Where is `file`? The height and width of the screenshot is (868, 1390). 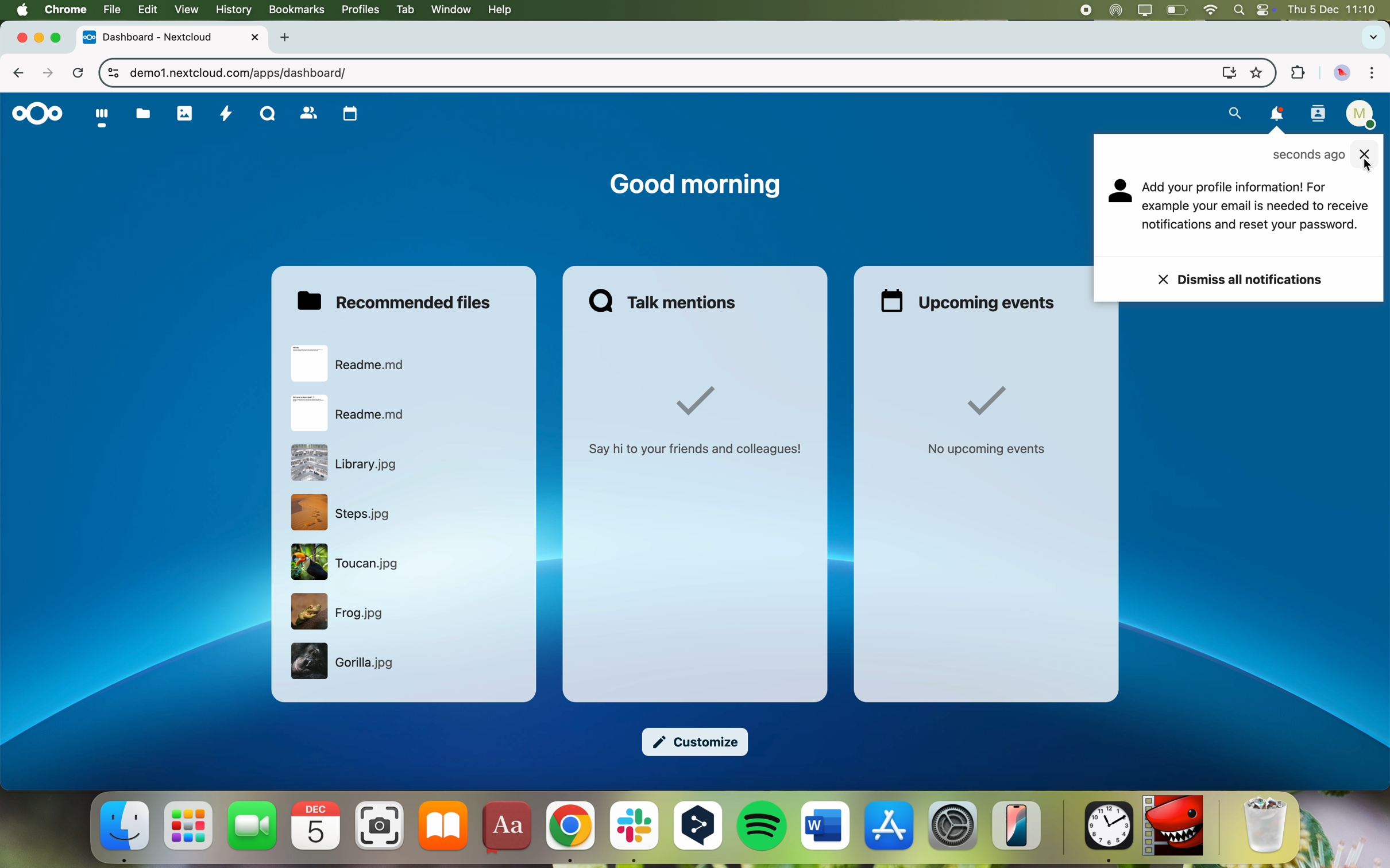 file is located at coordinates (346, 663).